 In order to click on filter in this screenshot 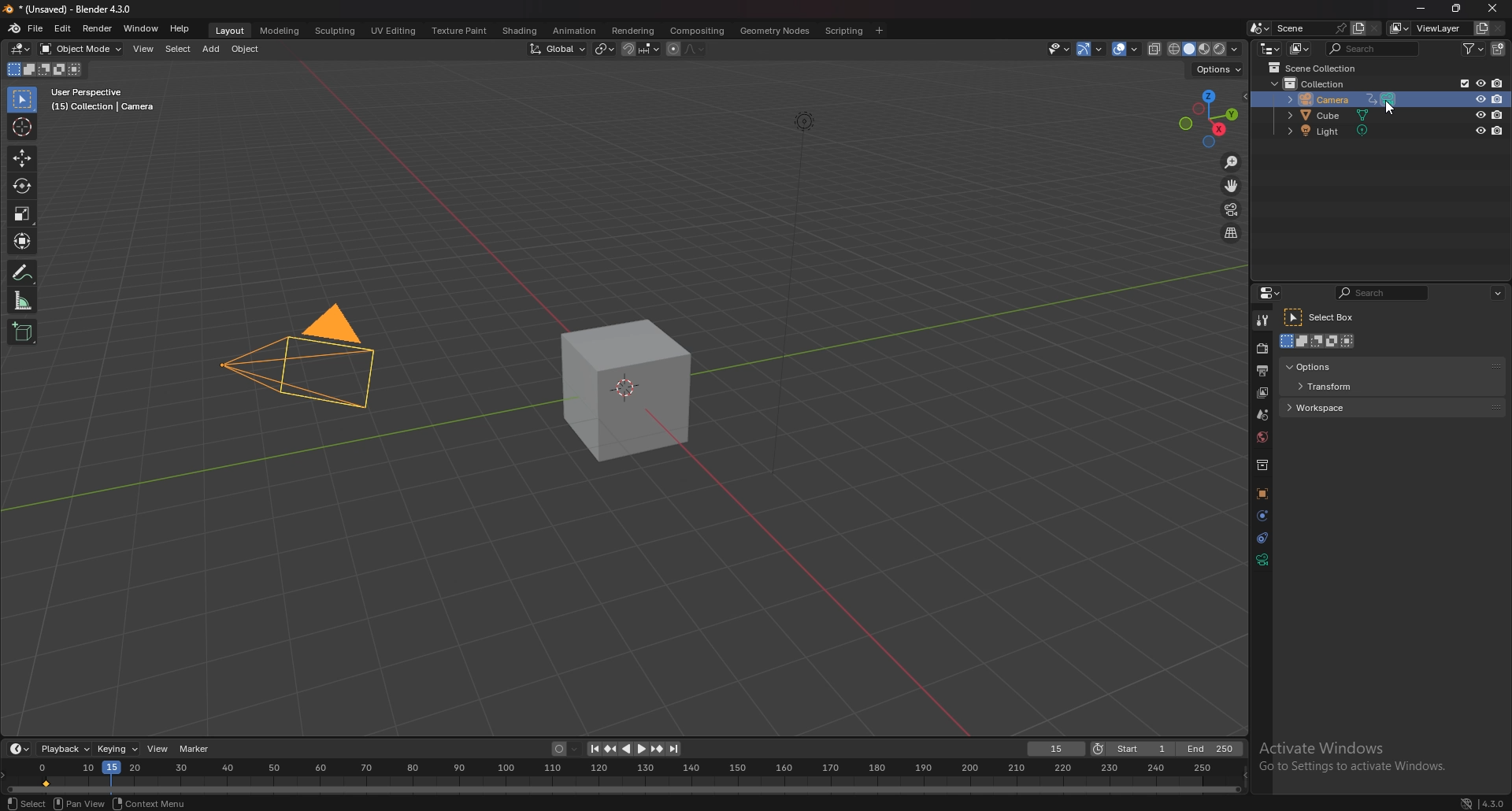, I will do `click(1474, 50)`.